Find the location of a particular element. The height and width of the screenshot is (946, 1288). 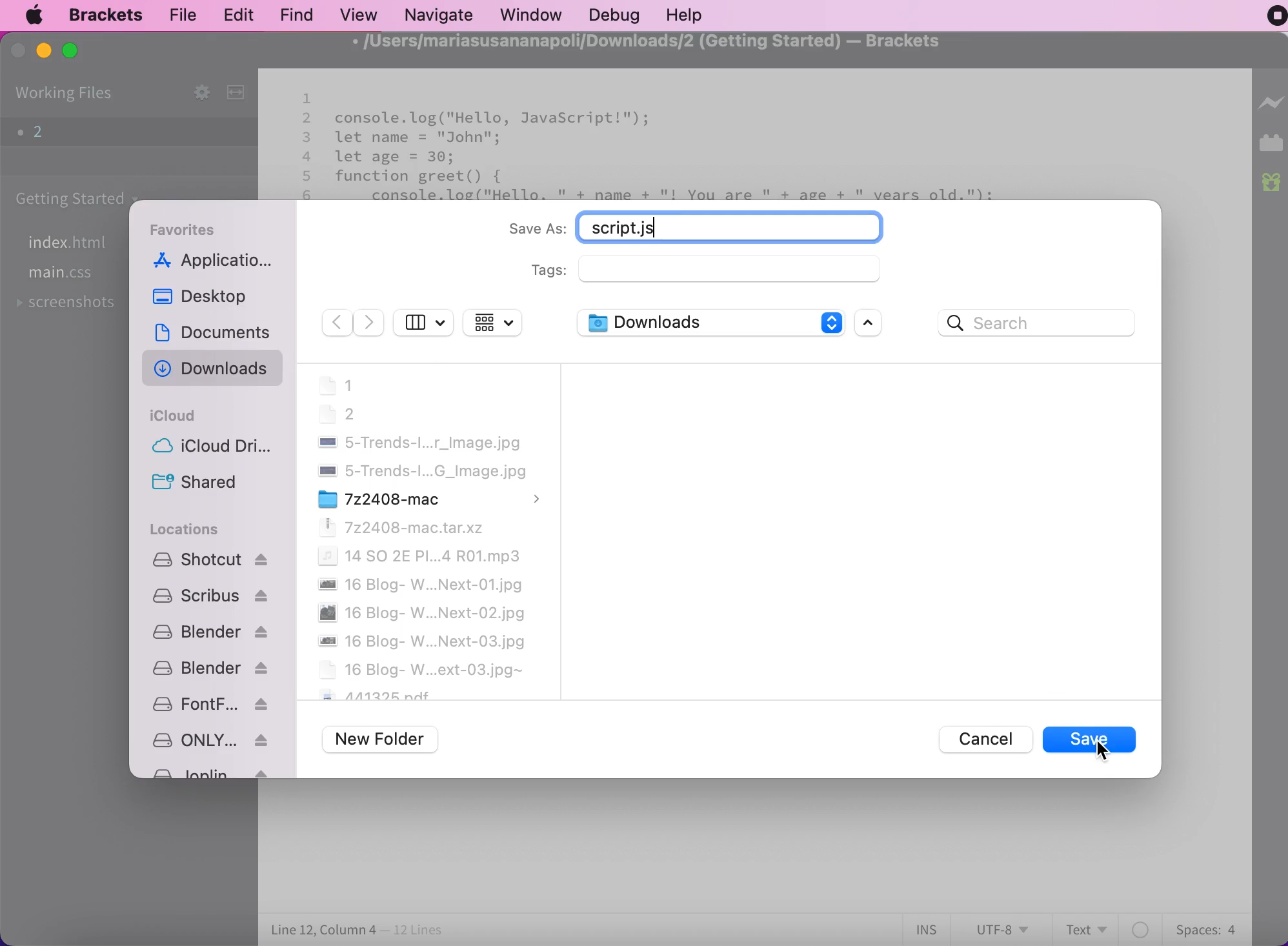

help is located at coordinates (687, 15).